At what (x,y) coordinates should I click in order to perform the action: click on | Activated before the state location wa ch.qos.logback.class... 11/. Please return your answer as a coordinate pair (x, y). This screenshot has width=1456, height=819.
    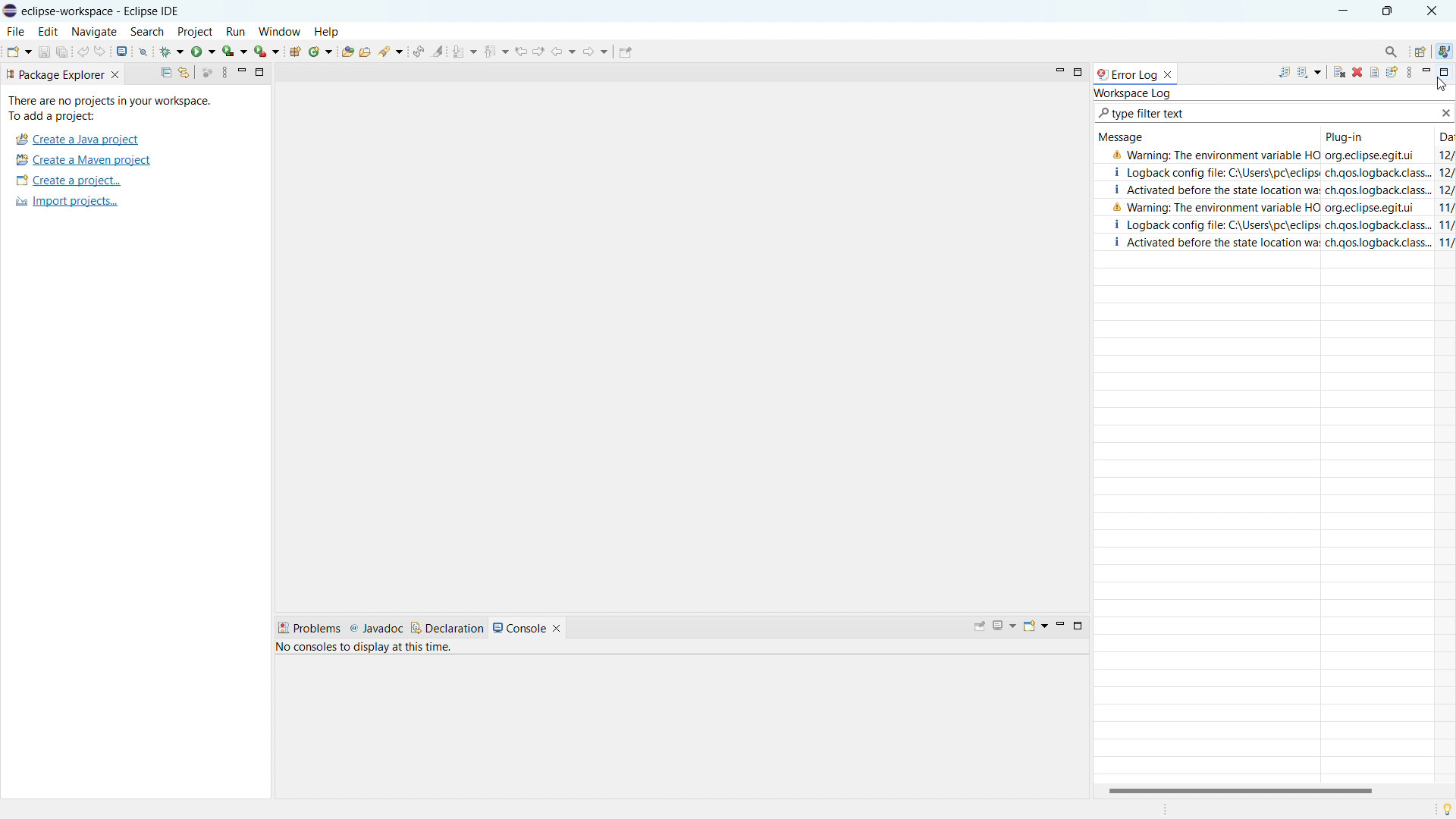
    Looking at the image, I should click on (1270, 244).